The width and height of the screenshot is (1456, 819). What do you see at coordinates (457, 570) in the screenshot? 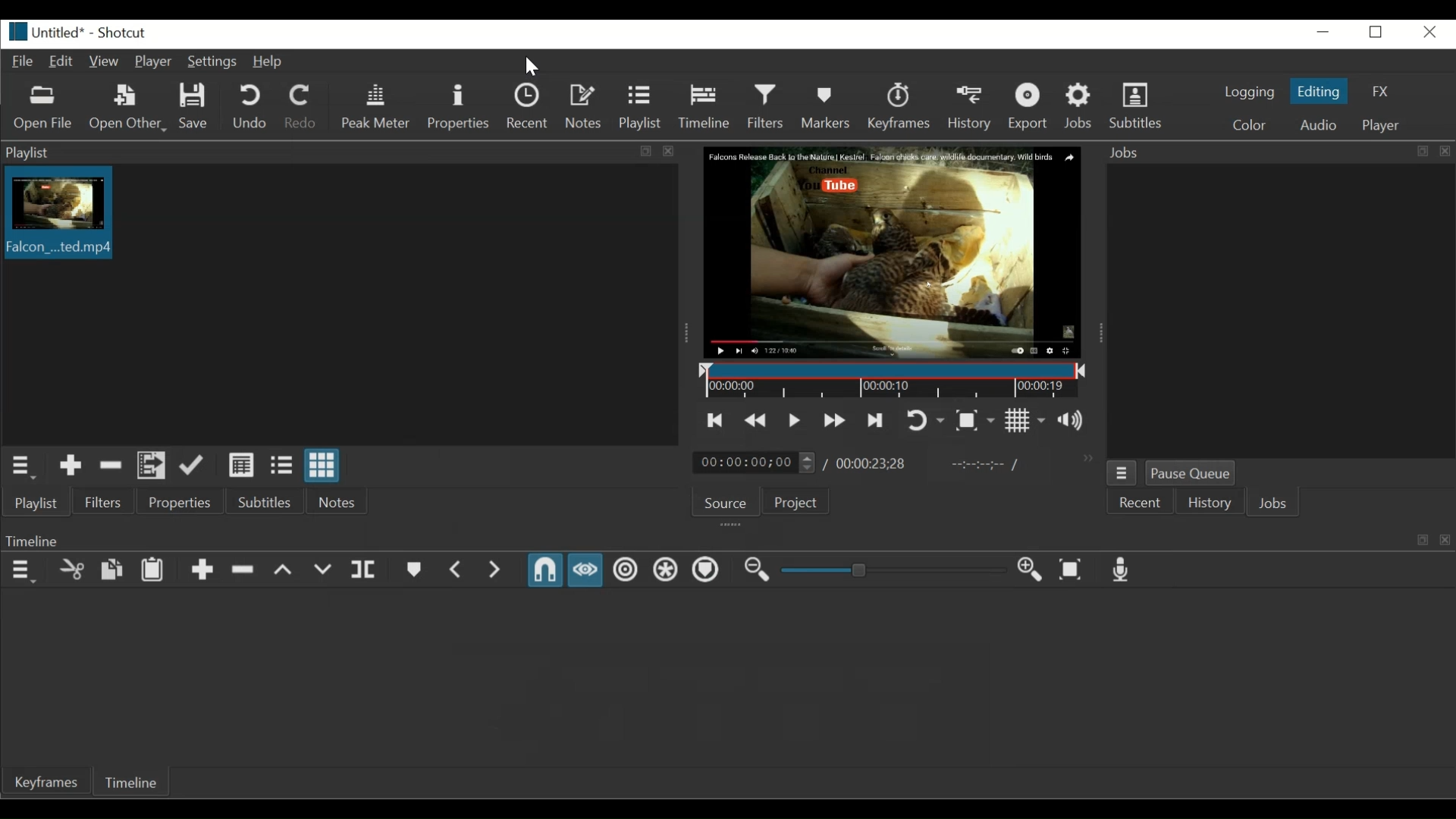
I see `Previous Marker` at bounding box center [457, 570].